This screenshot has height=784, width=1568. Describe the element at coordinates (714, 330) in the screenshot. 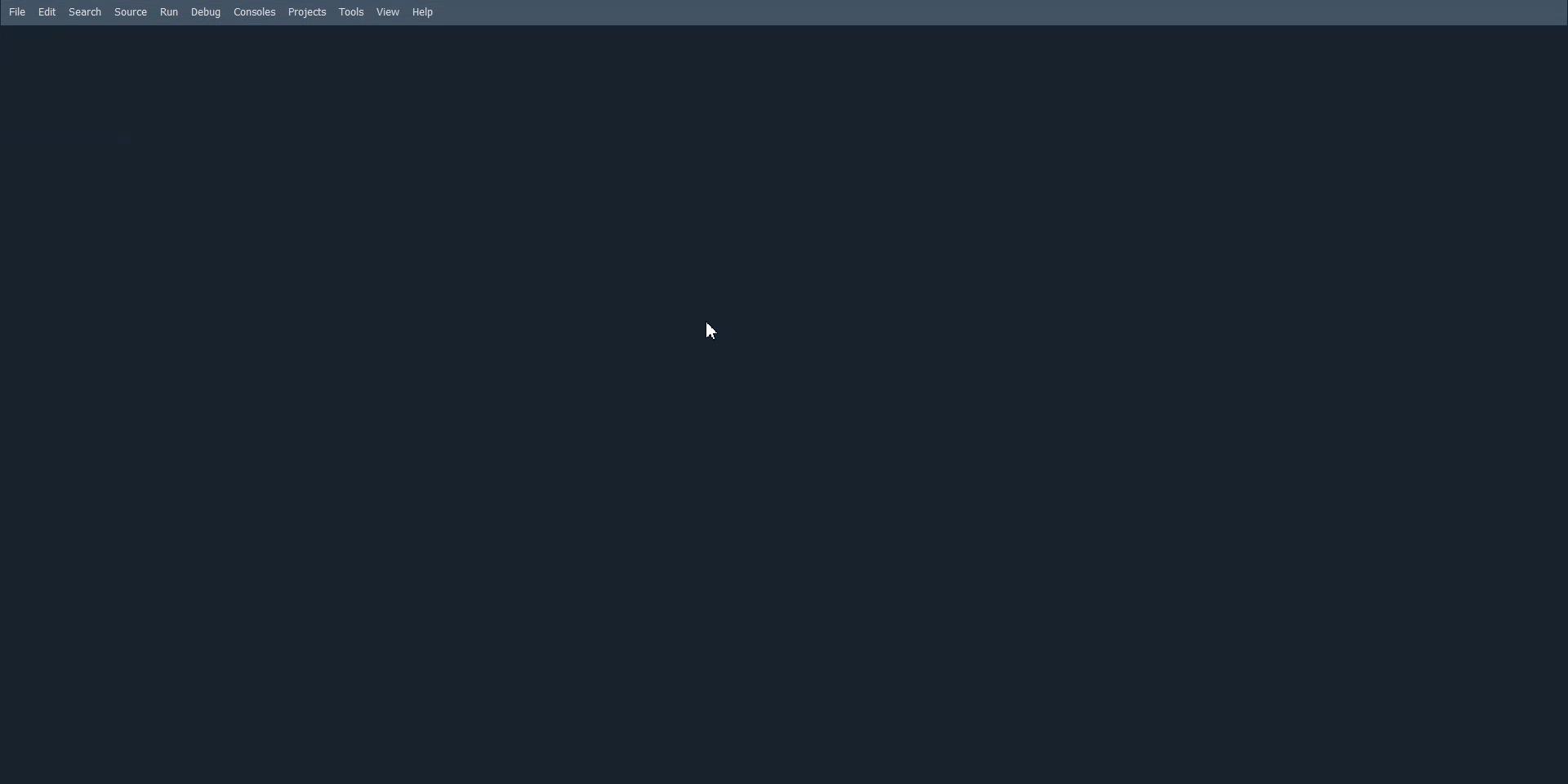

I see `Cursor` at that location.